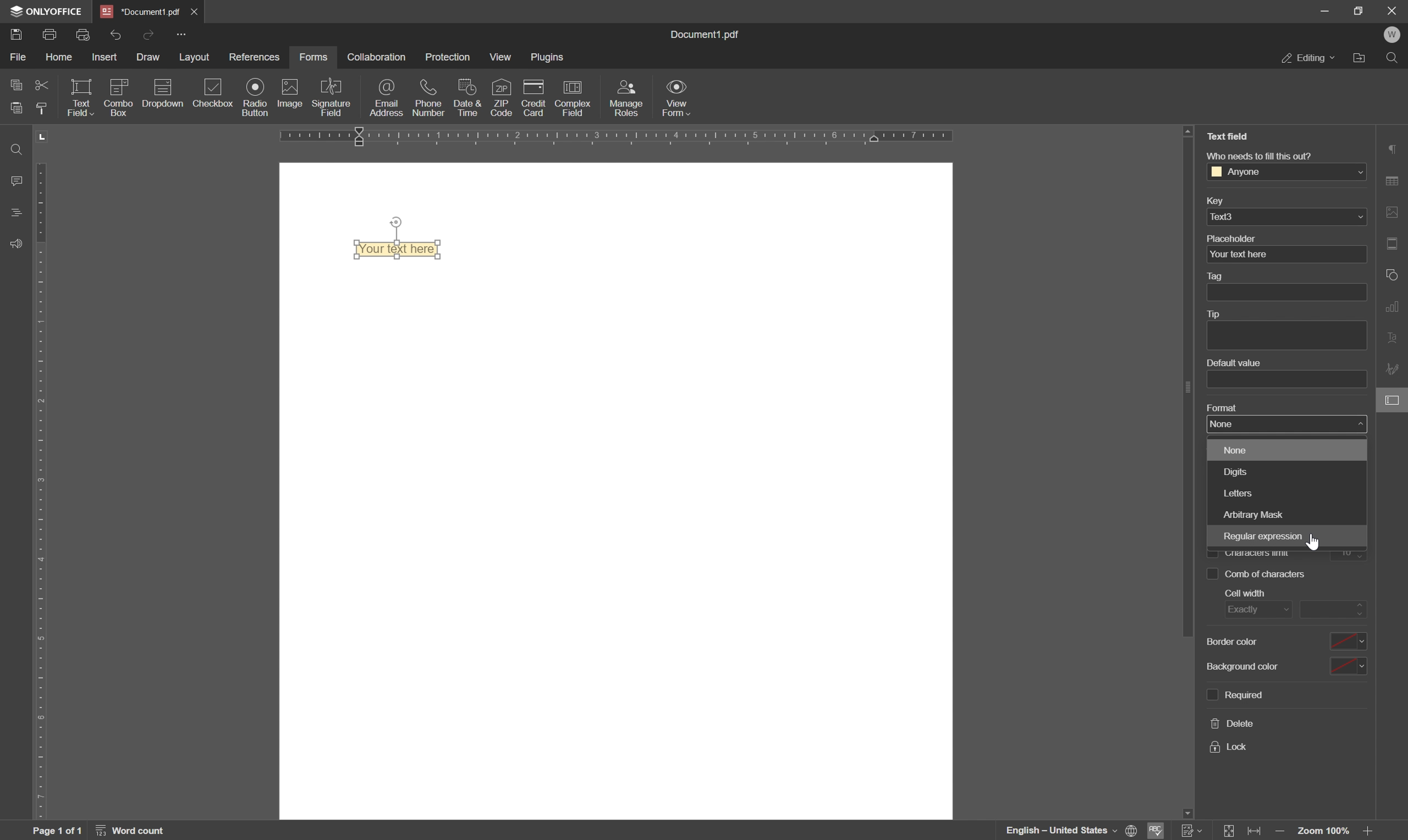  I want to click on checkbox, so click(1212, 575).